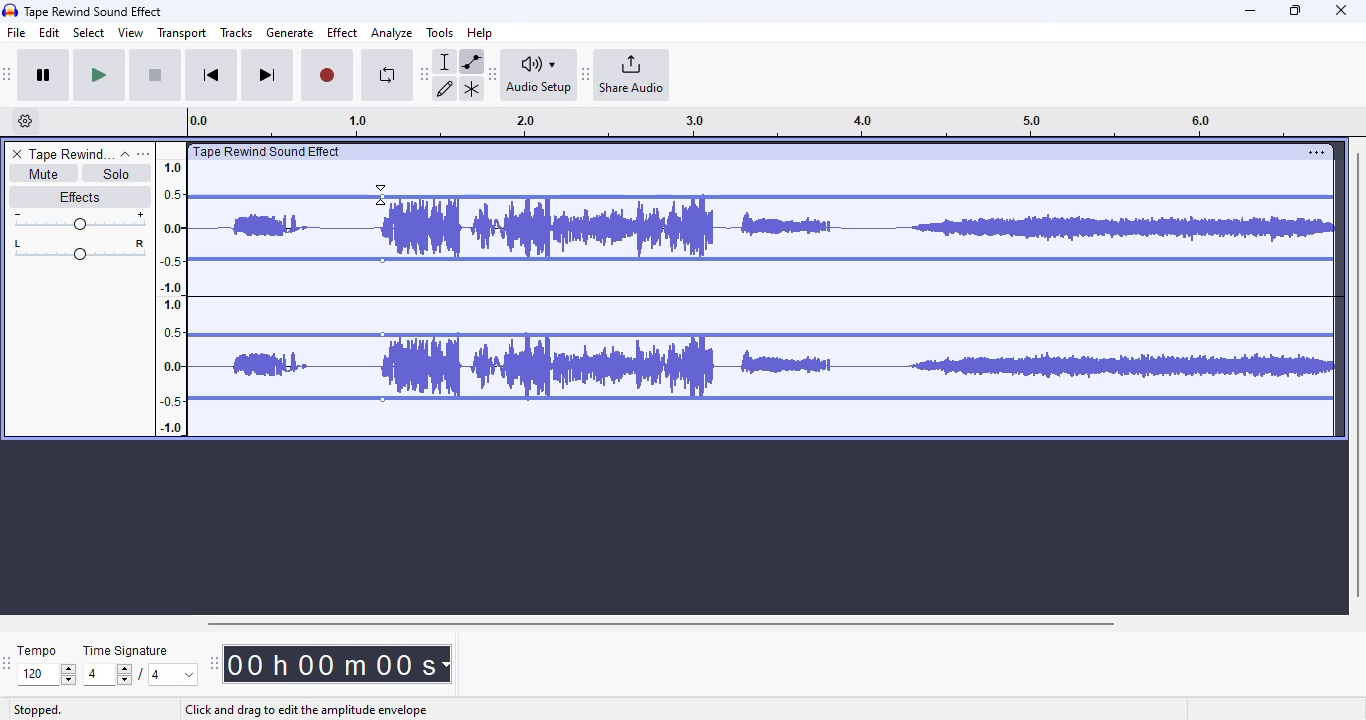  I want to click on help, so click(480, 32).